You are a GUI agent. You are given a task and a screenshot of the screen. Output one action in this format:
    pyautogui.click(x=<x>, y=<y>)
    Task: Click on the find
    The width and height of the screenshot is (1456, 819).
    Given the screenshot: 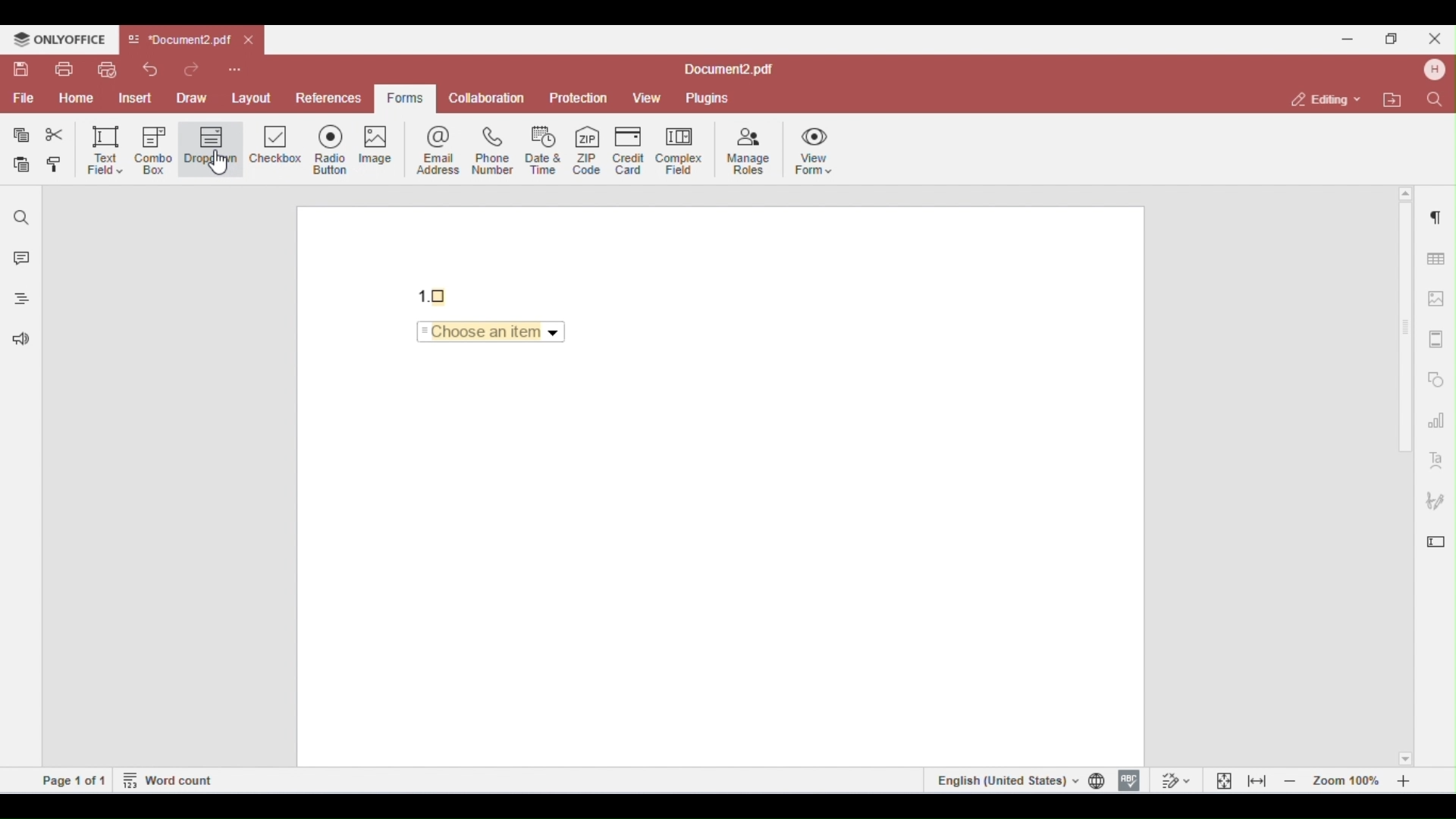 What is the action you would take?
    pyautogui.click(x=22, y=218)
    